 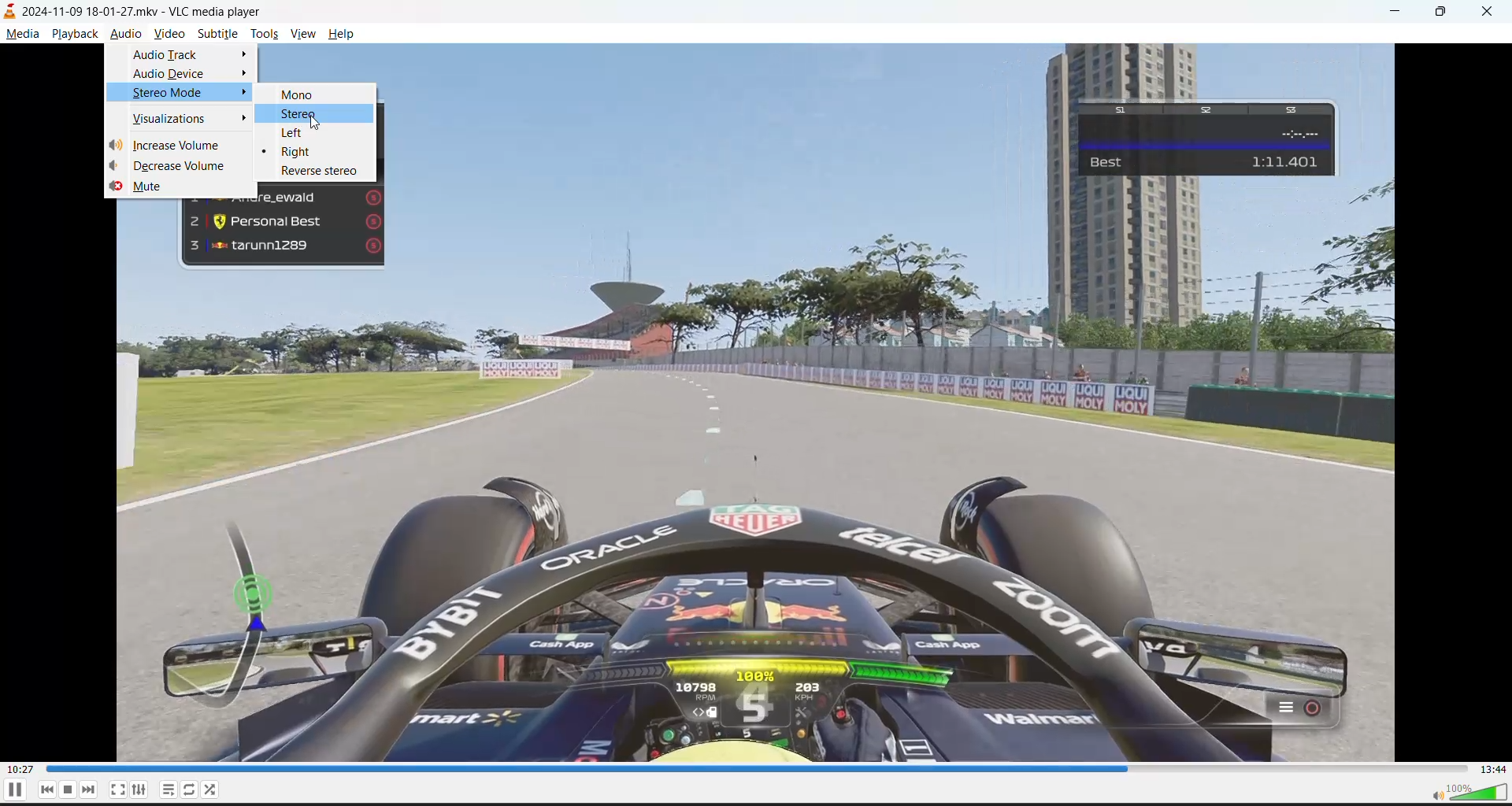 I want to click on tools, so click(x=263, y=33).